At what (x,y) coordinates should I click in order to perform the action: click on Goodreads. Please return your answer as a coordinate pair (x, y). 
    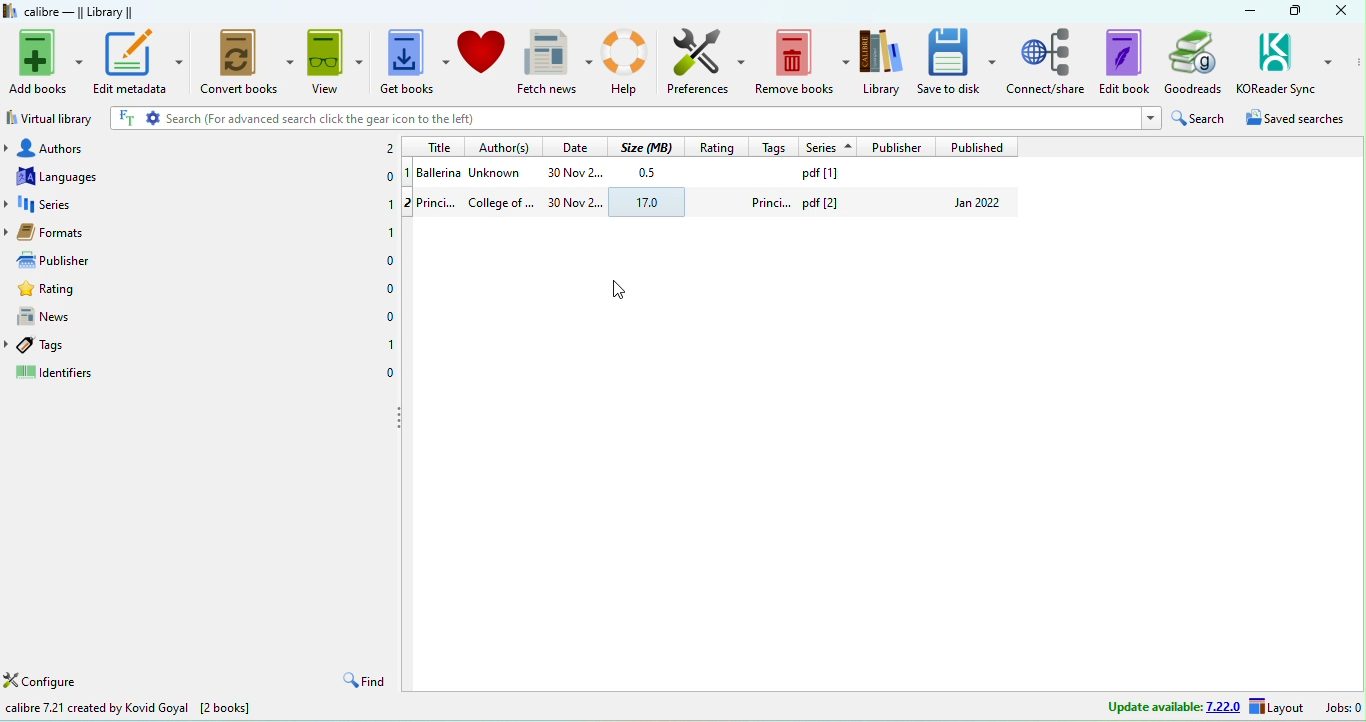
    Looking at the image, I should click on (1193, 62).